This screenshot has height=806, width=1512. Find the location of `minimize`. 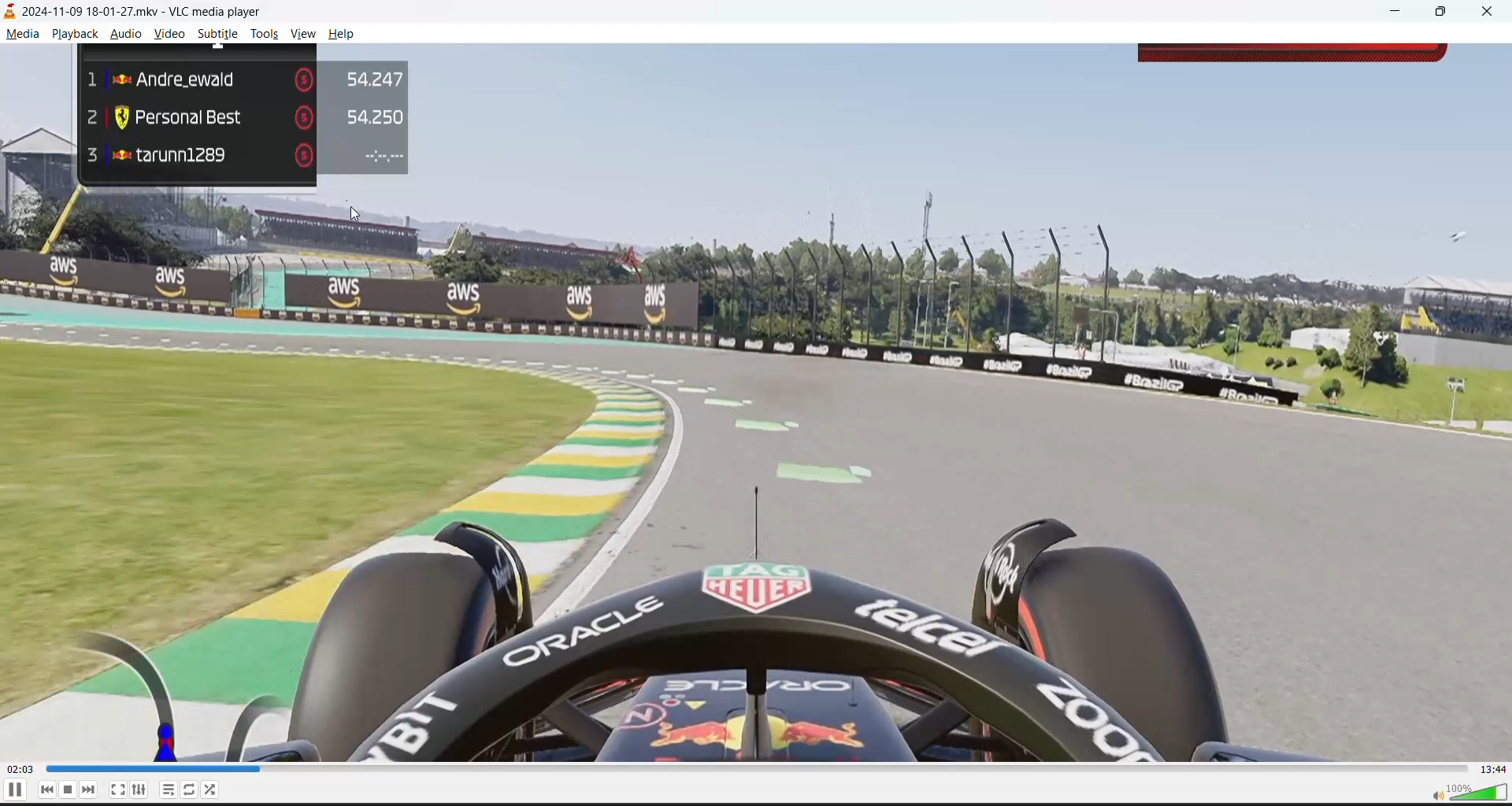

minimize is located at coordinates (1399, 13).